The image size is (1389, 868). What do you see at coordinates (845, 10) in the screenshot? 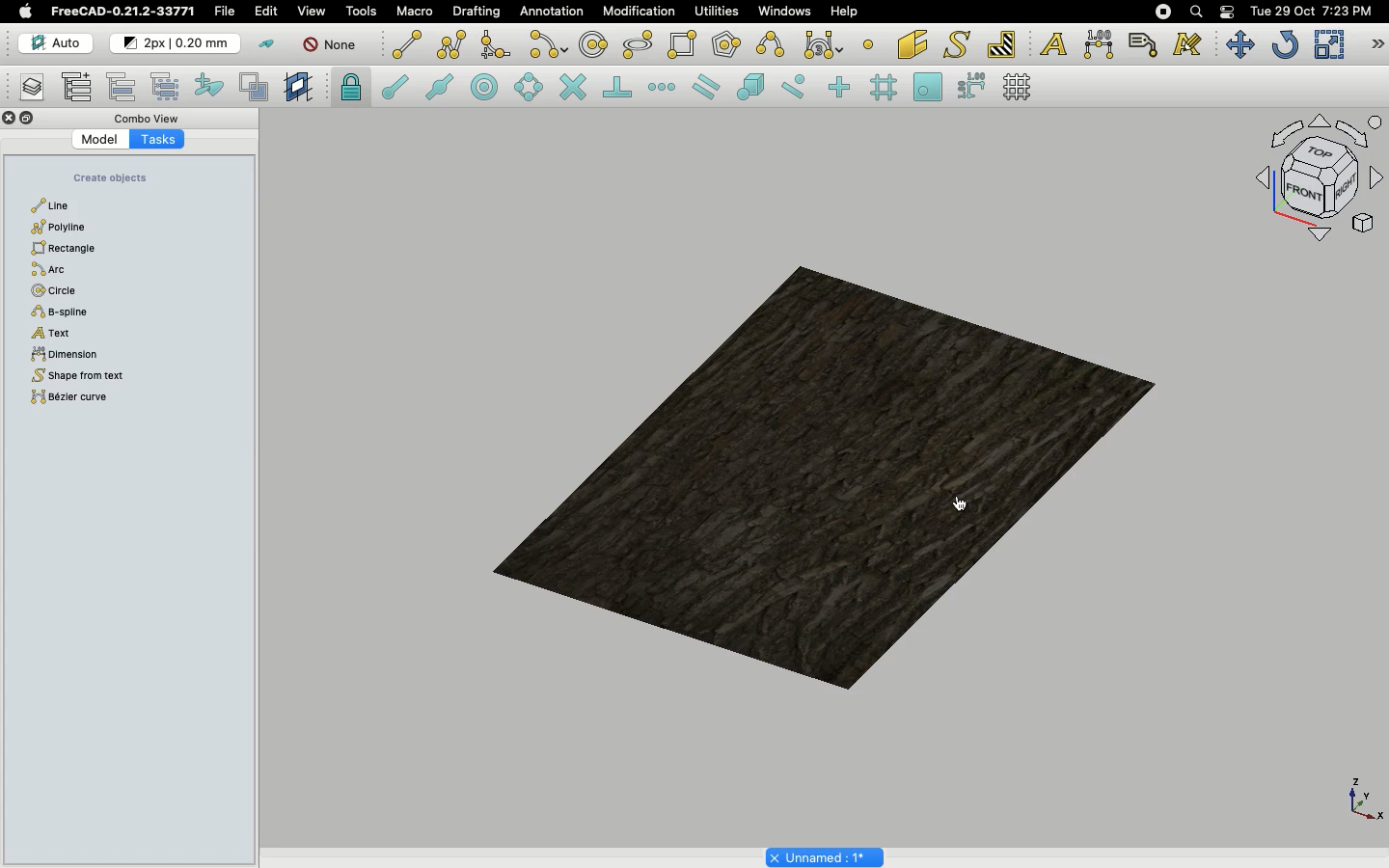
I see `Help` at bounding box center [845, 10].